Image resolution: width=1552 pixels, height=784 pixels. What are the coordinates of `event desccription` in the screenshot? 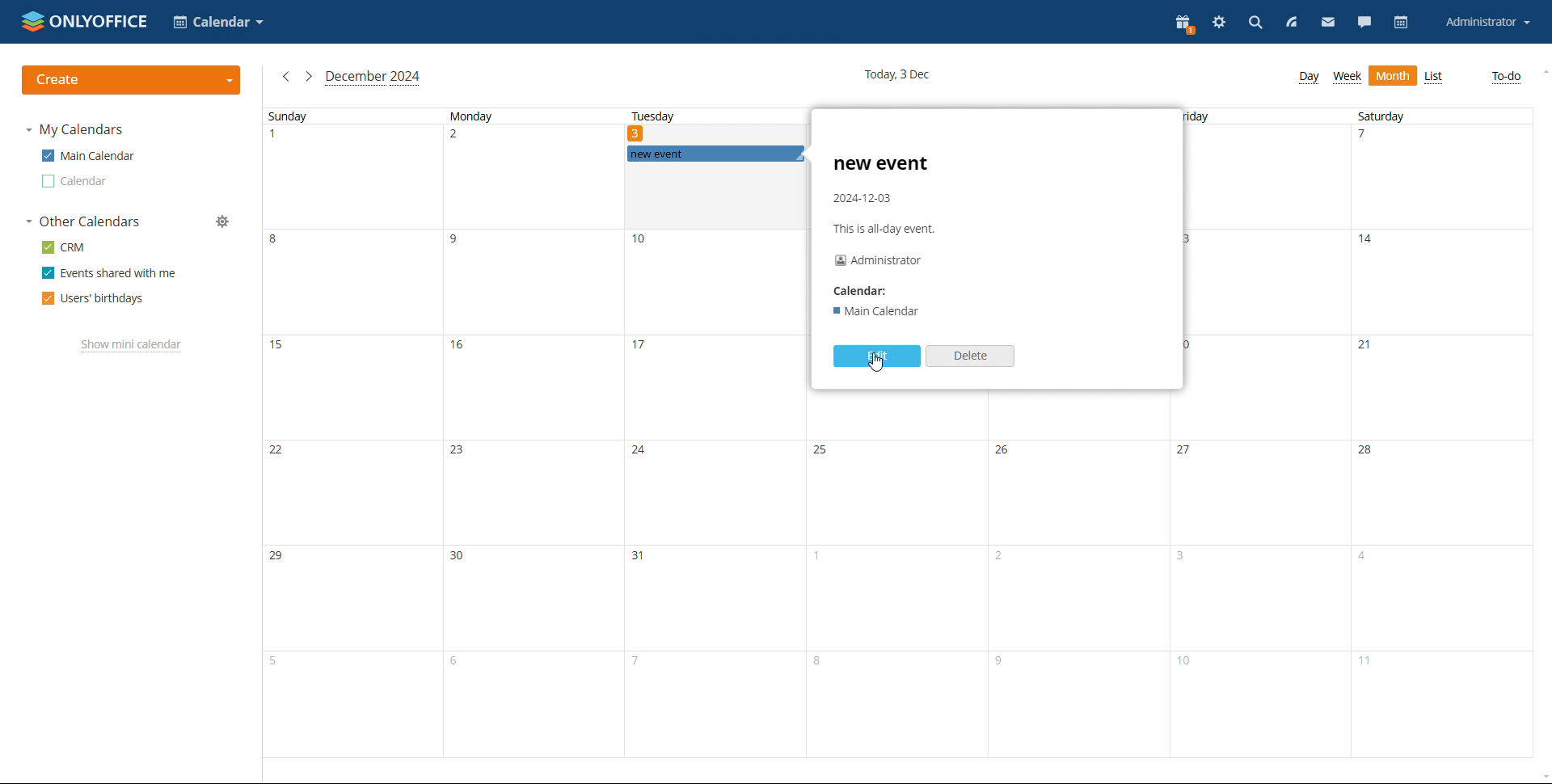 It's located at (892, 196).